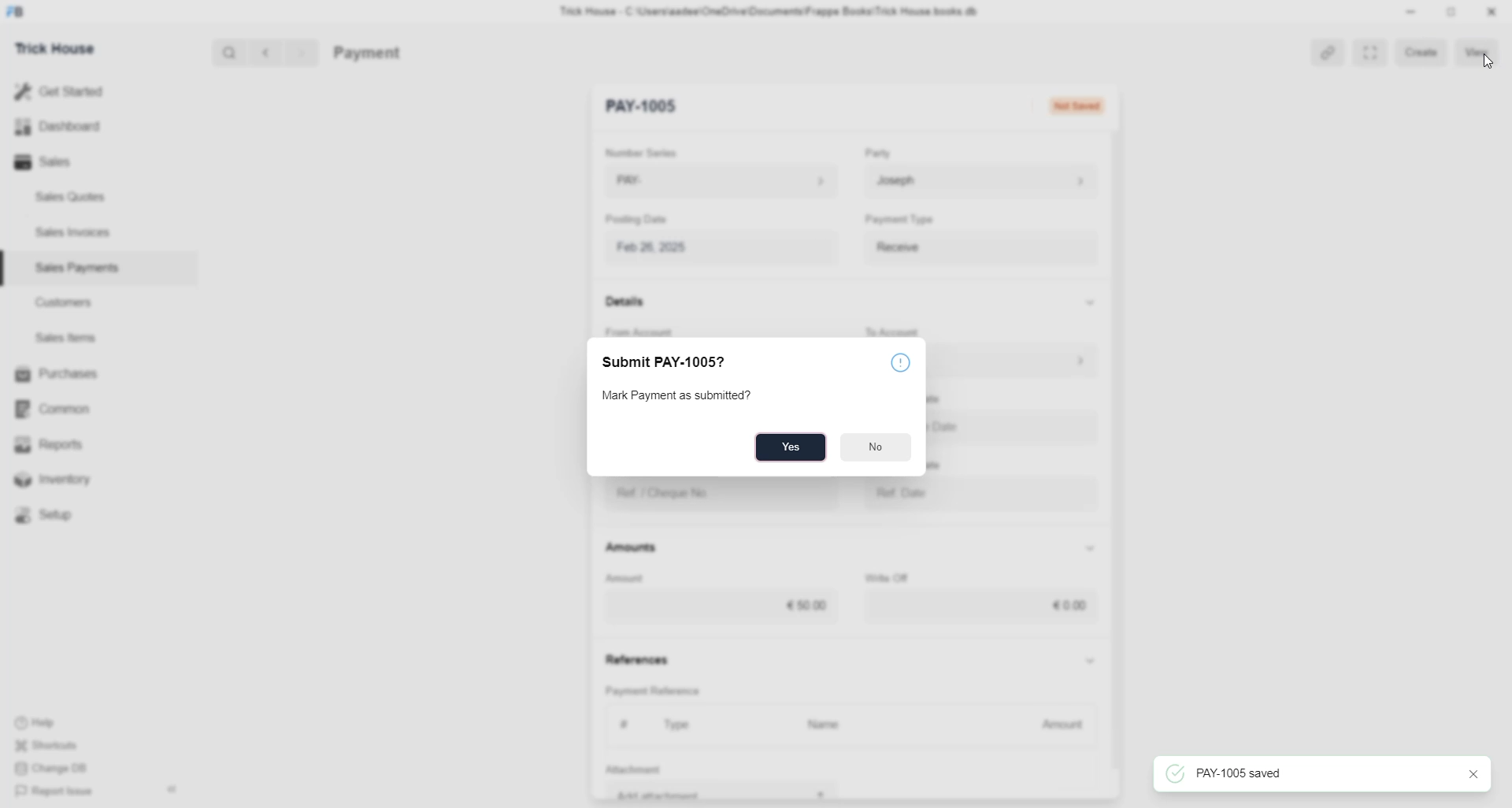  I want to click on Payment, so click(368, 54).